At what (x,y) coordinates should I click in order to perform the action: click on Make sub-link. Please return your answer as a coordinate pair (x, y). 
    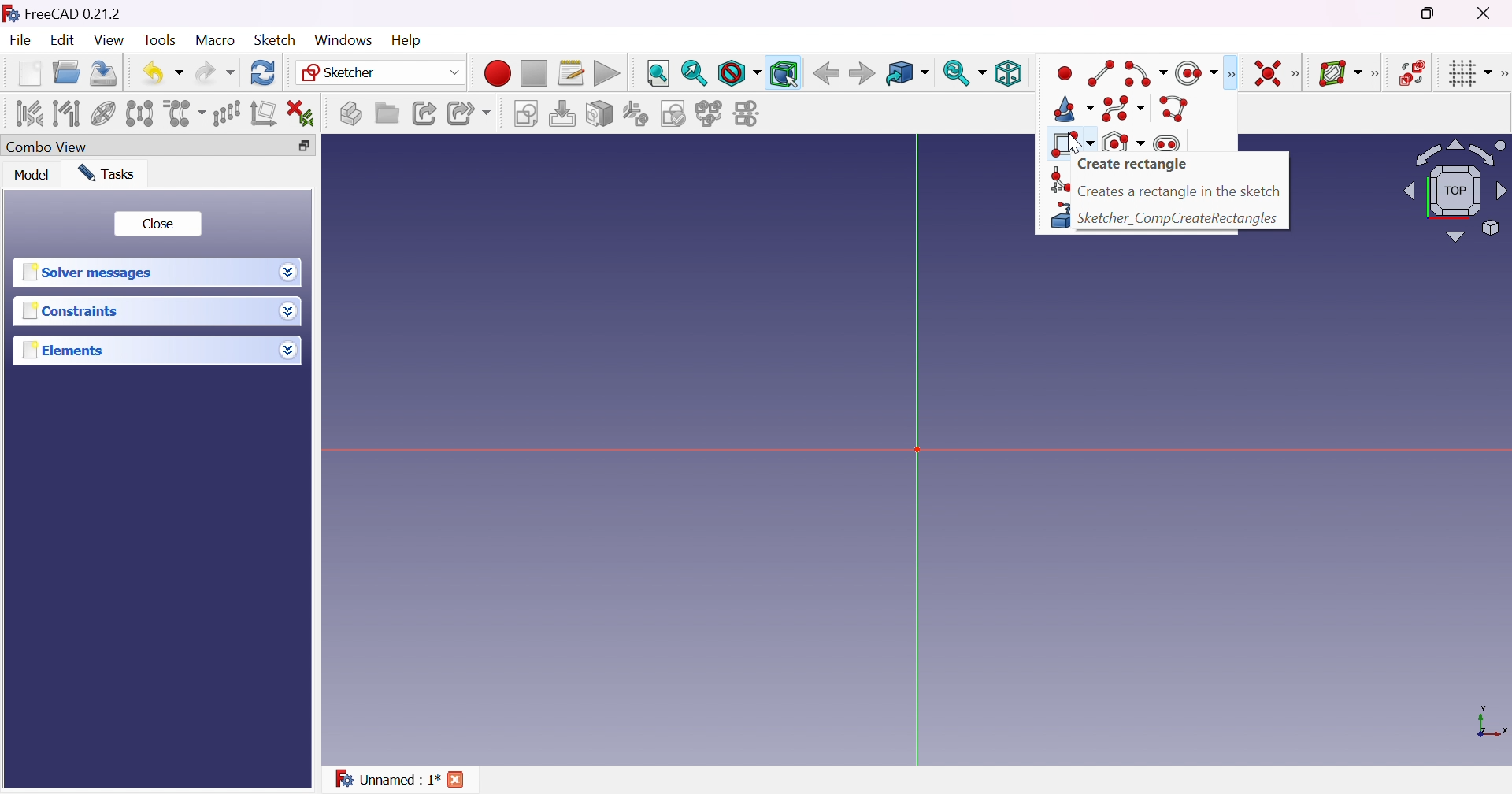
    Looking at the image, I should click on (469, 113).